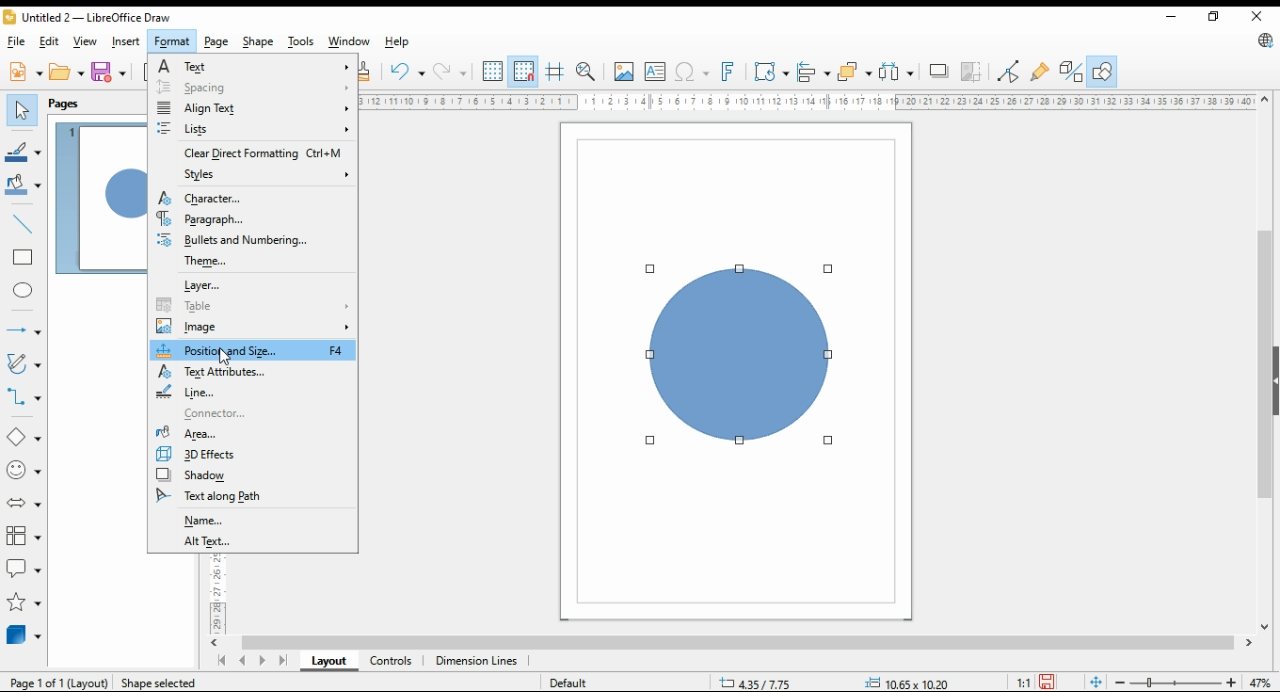 The image size is (1280, 692). What do you see at coordinates (1218, 17) in the screenshot?
I see `restore` at bounding box center [1218, 17].